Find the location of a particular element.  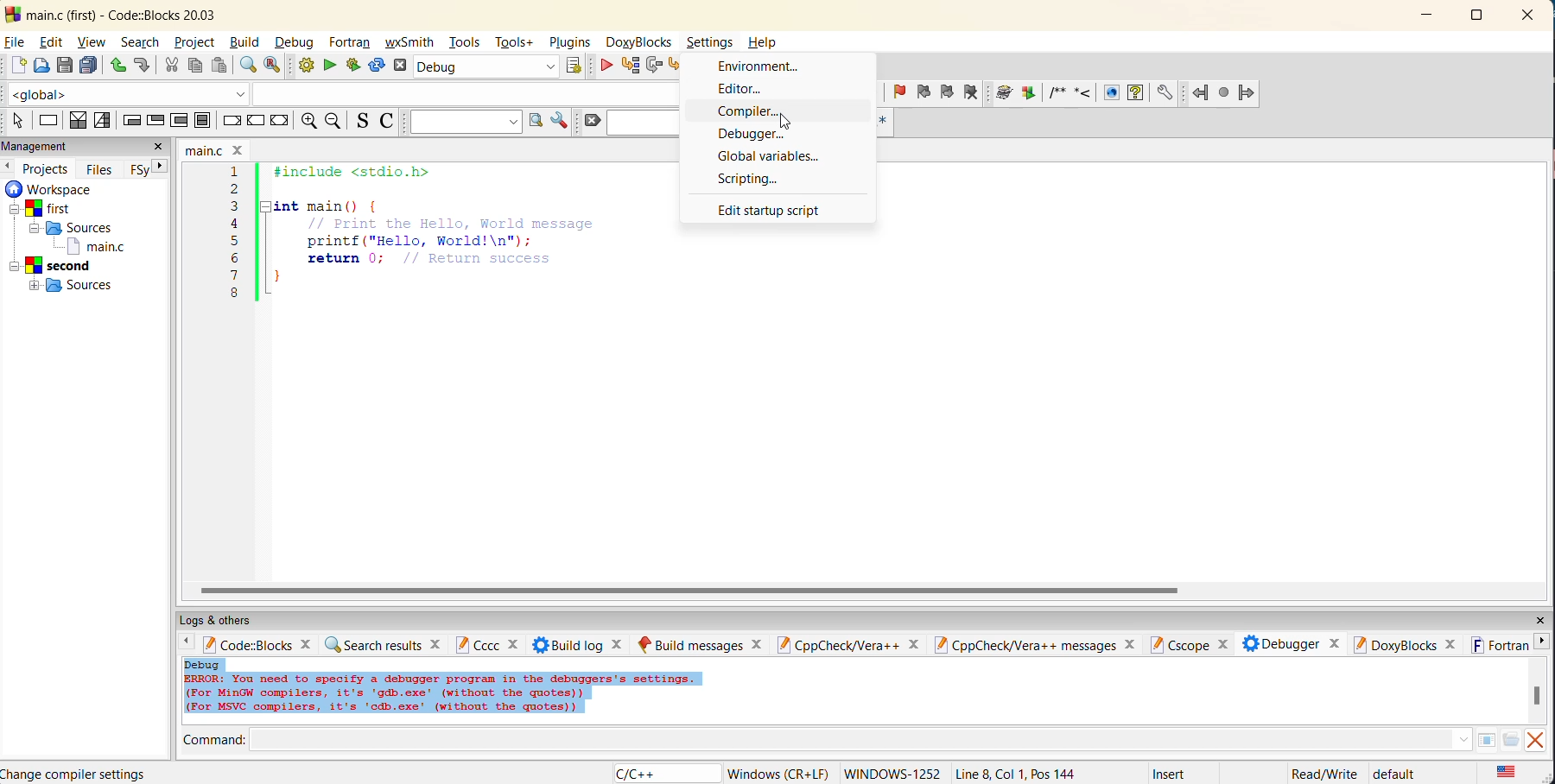

view is located at coordinates (91, 41).